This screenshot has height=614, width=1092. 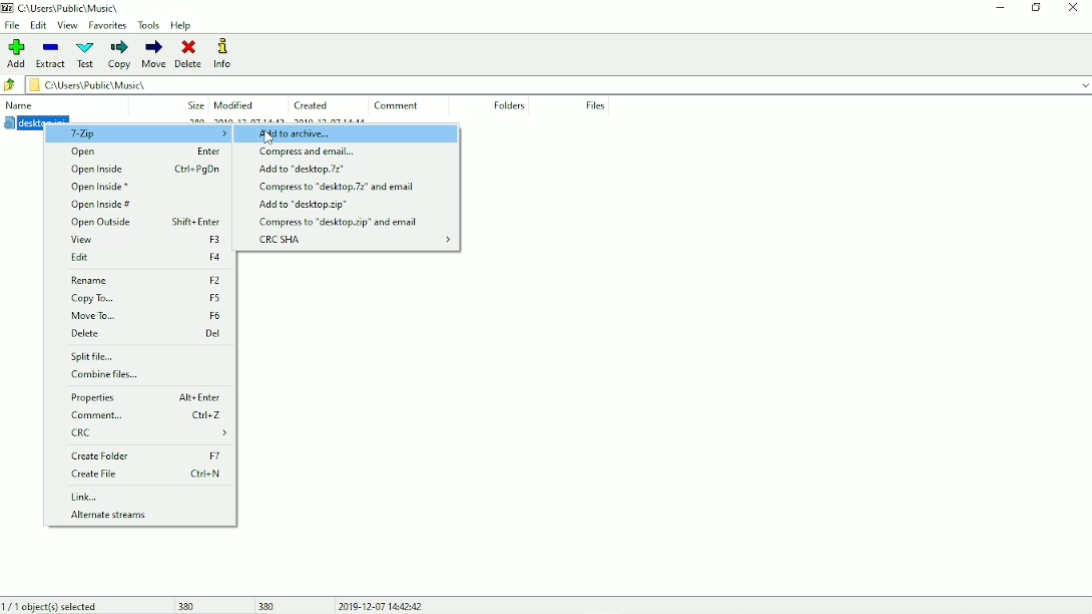 What do you see at coordinates (138, 137) in the screenshot?
I see `7-Zip` at bounding box center [138, 137].